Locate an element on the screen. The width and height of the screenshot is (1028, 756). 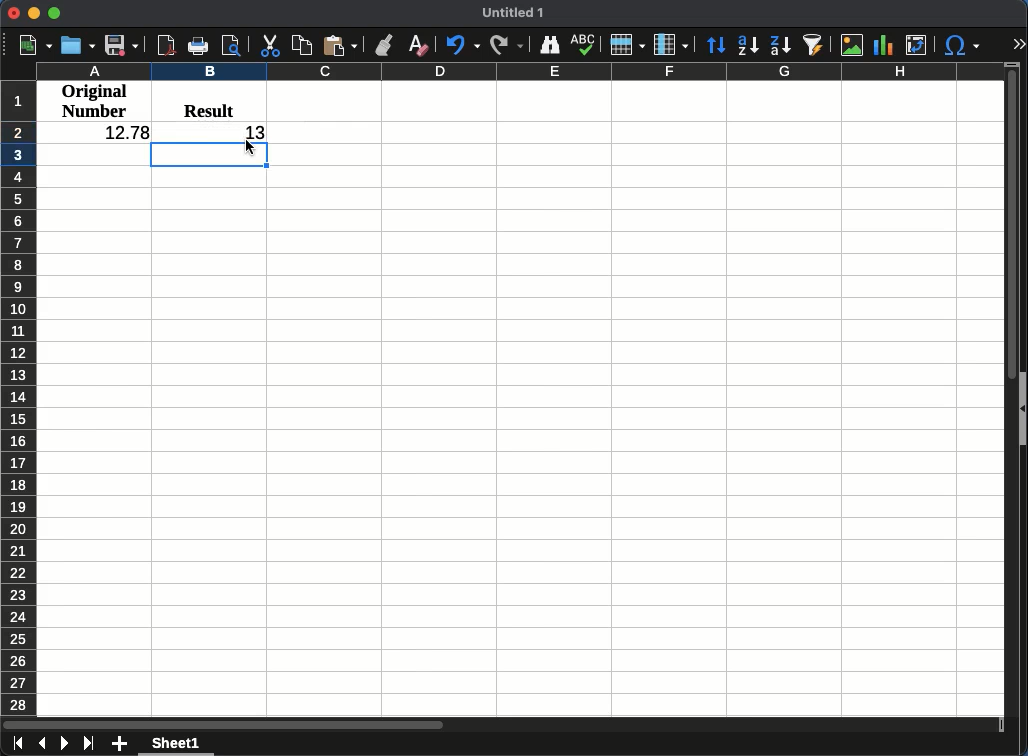
special character is located at coordinates (960, 47).